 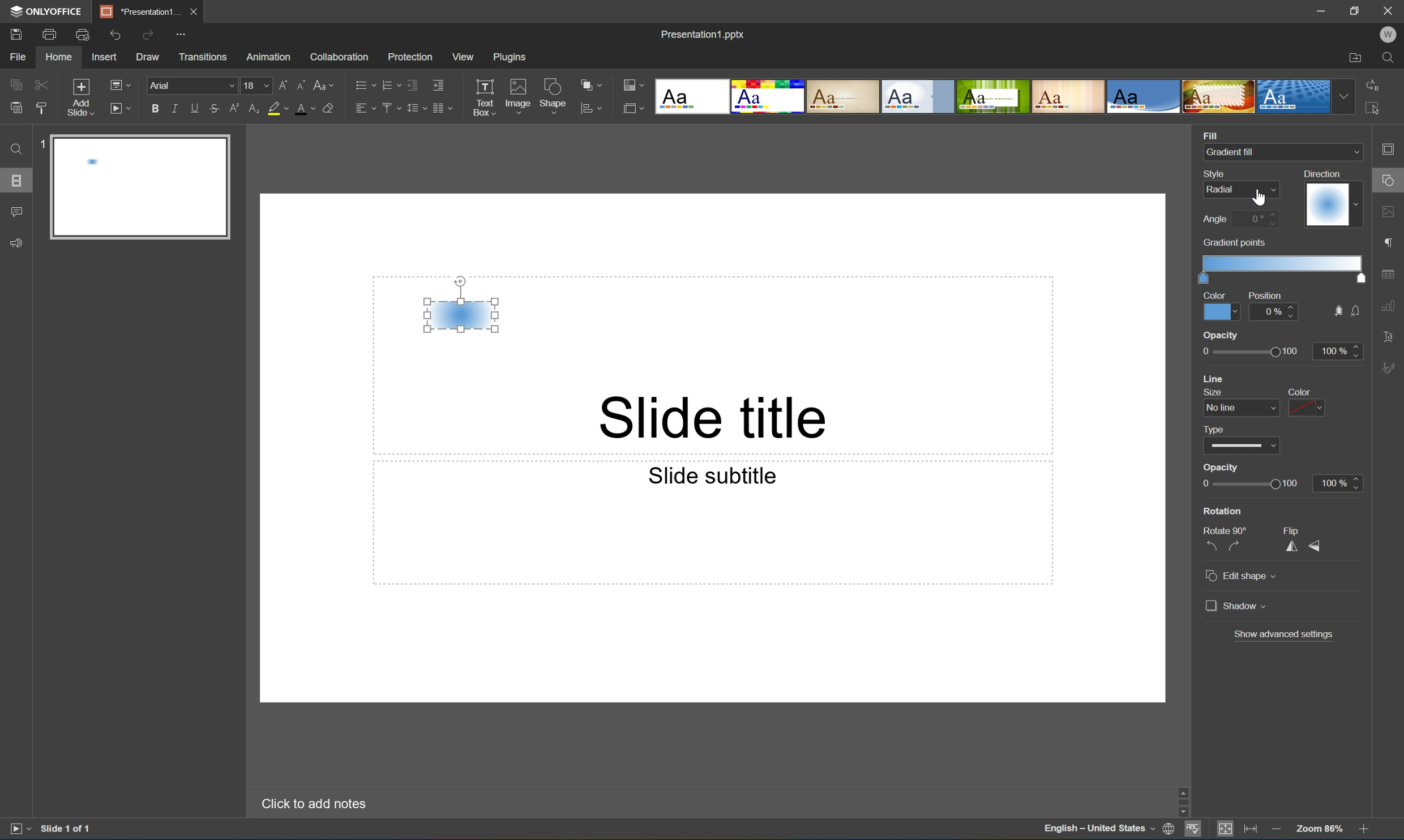 What do you see at coordinates (18, 242) in the screenshot?
I see `Feedback & Support` at bounding box center [18, 242].